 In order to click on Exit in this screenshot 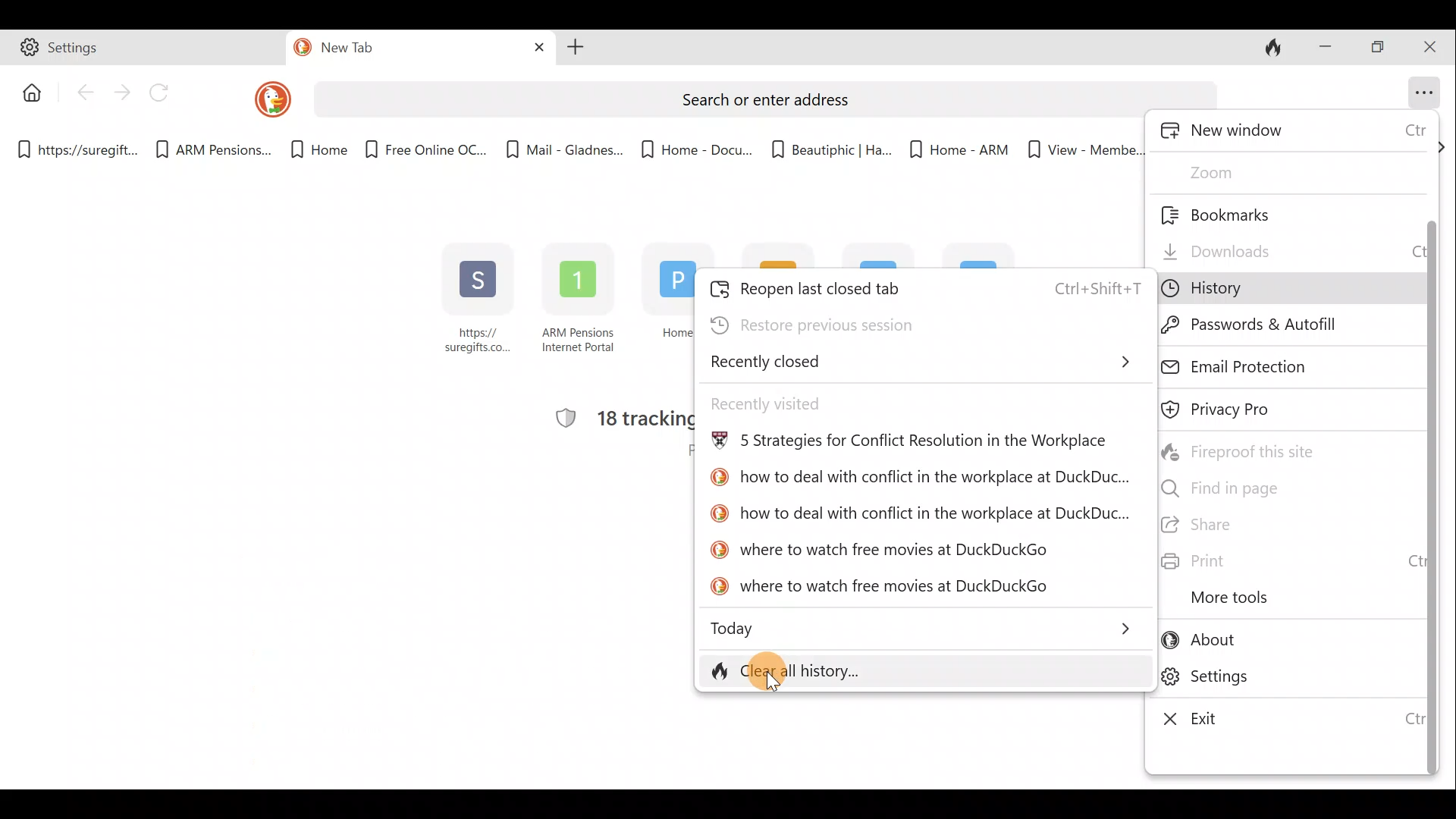, I will do `click(1282, 719)`.